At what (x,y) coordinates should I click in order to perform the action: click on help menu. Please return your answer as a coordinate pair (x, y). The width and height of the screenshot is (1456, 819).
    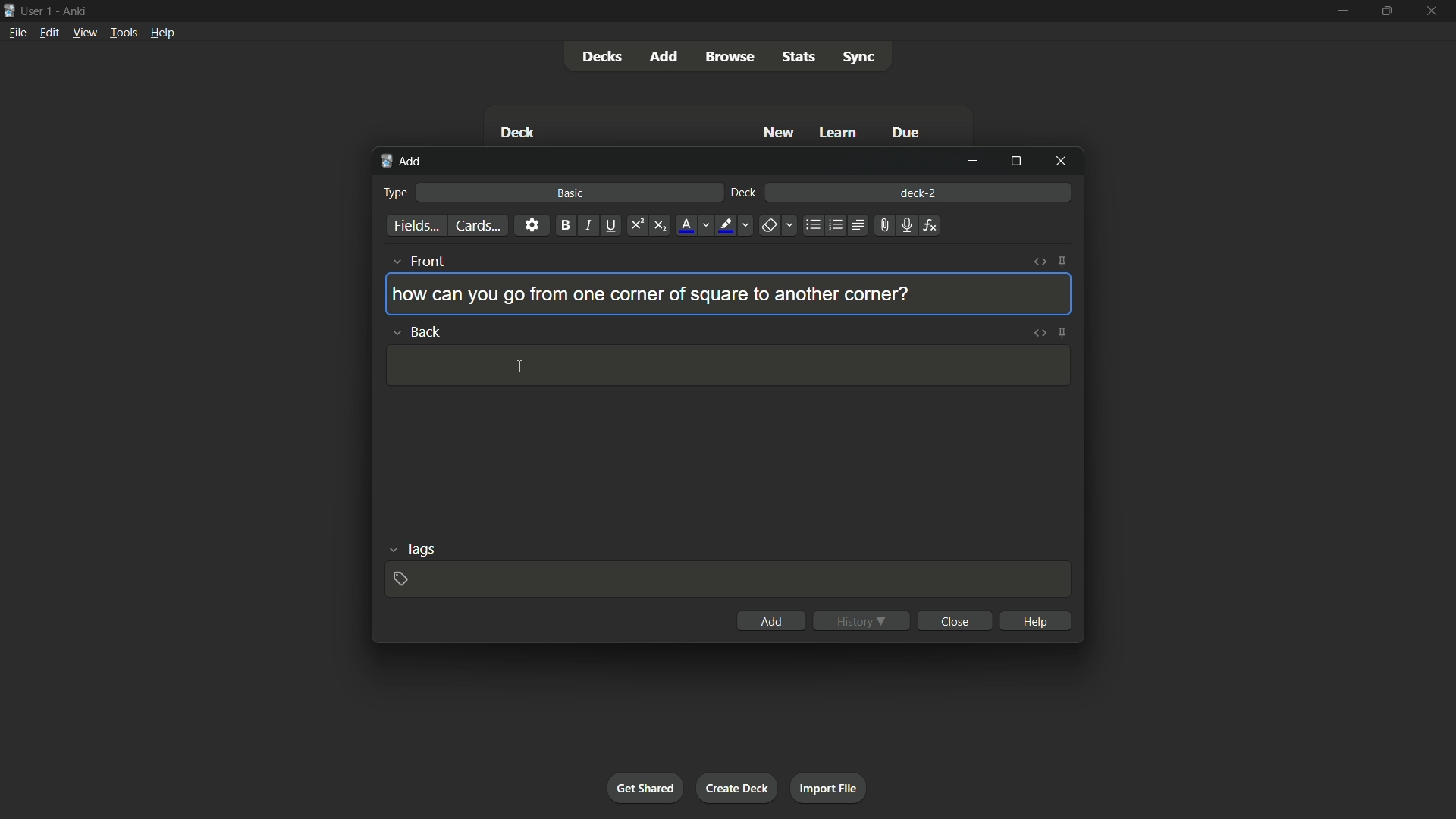
    Looking at the image, I should click on (163, 32).